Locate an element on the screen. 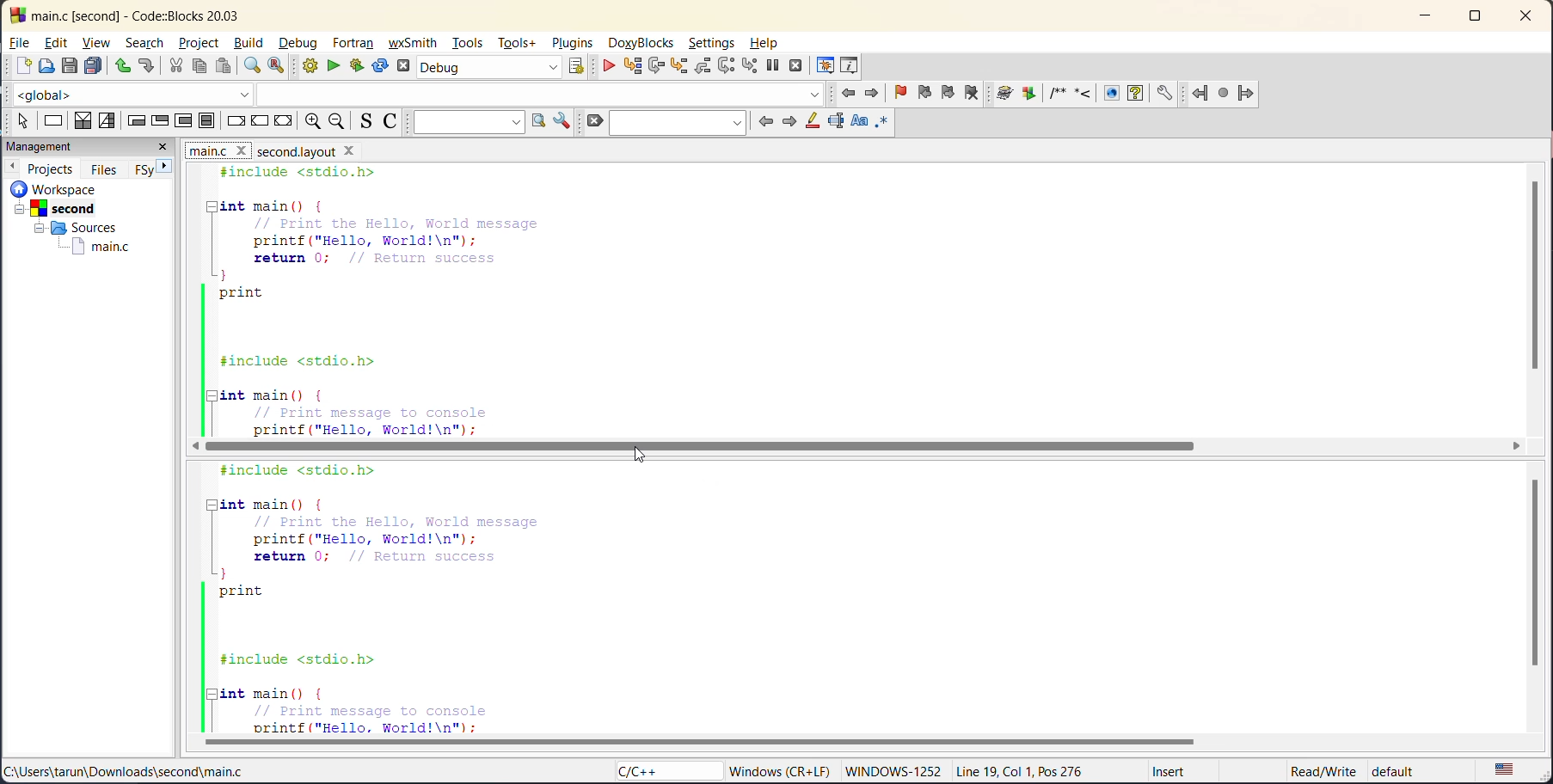 The image size is (1553, 784). copy is located at coordinates (198, 67).